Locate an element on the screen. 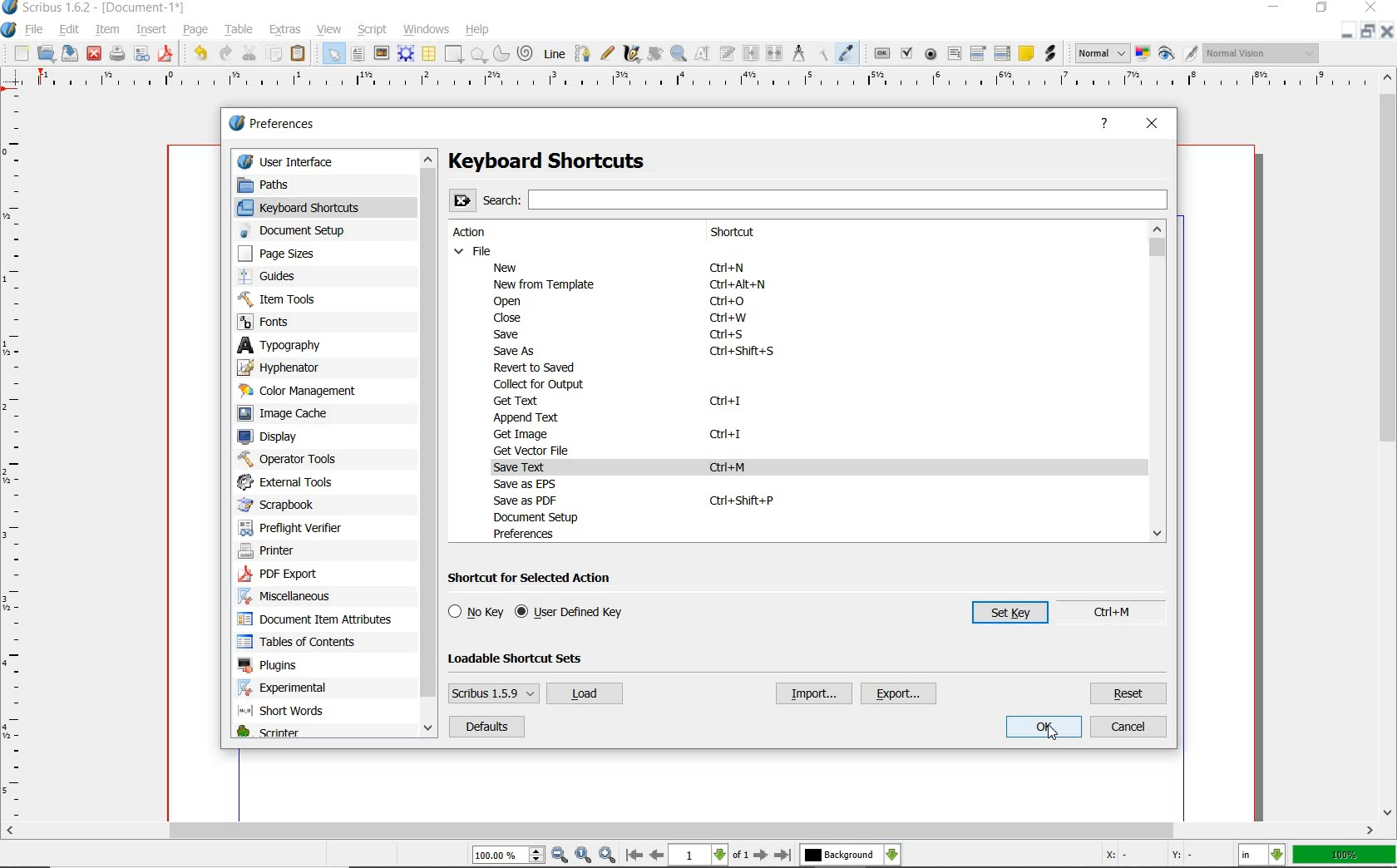 This screenshot has width=1397, height=868. Ctrl + I is located at coordinates (725, 402).